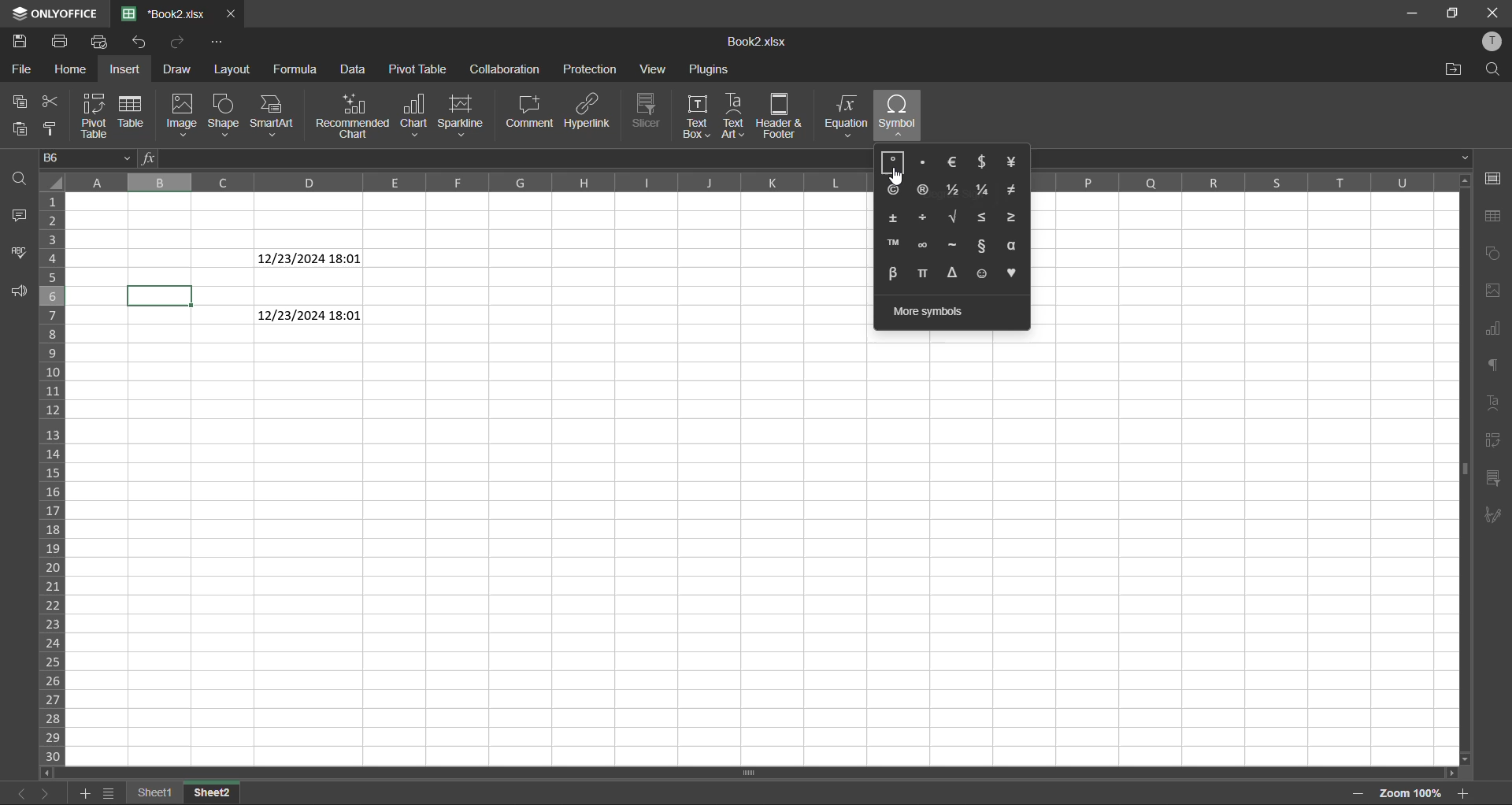  Describe the element at coordinates (756, 46) in the screenshot. I see `book2.xlsx` at that location.